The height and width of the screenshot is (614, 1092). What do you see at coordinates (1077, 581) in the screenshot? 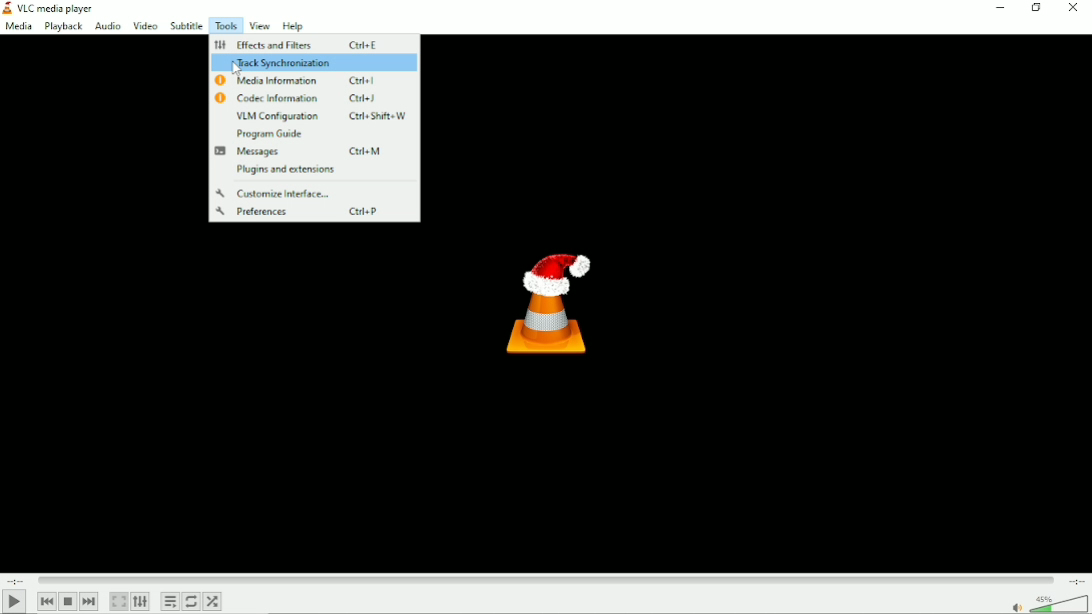
I see `Total duration` at bounding box center [1077, 581].